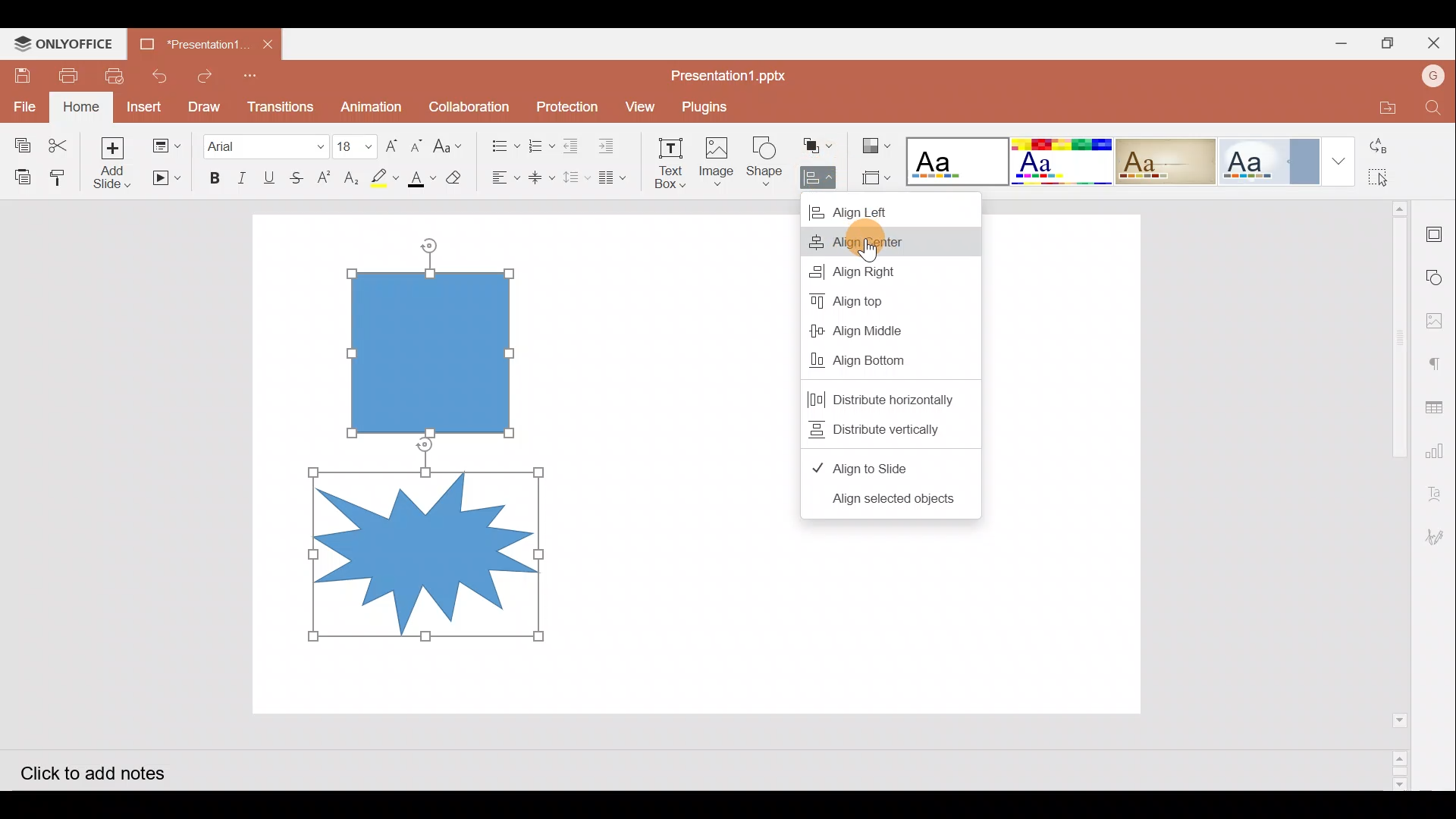 This screenshot has width=1456, height=819. I want to click on Font colour, so click(420, 178).